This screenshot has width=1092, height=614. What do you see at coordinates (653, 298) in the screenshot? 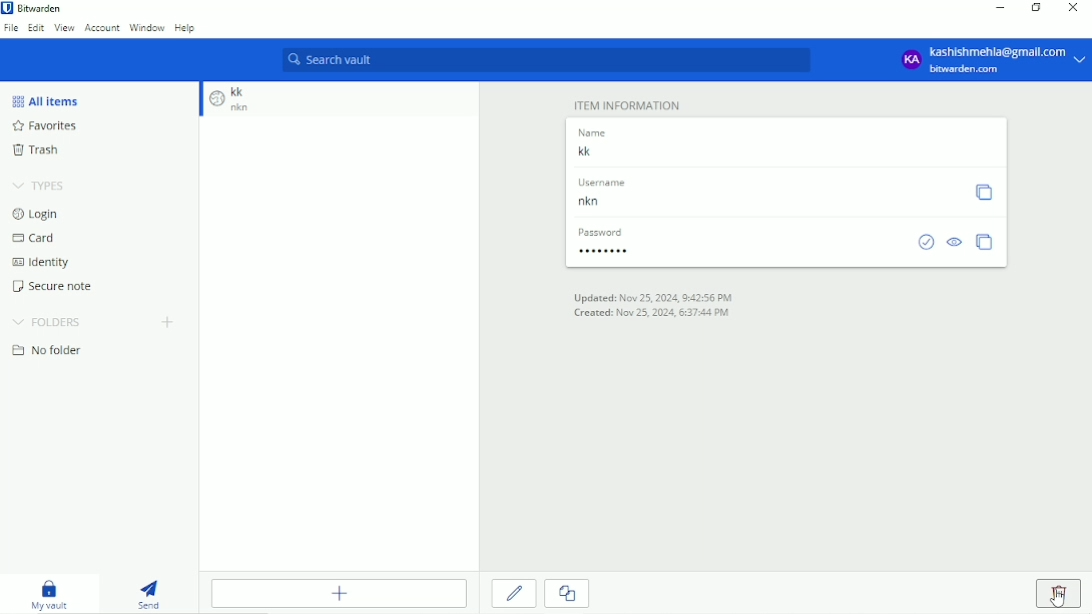
I see `Updated on date and time` at bounding box center [653, 298].